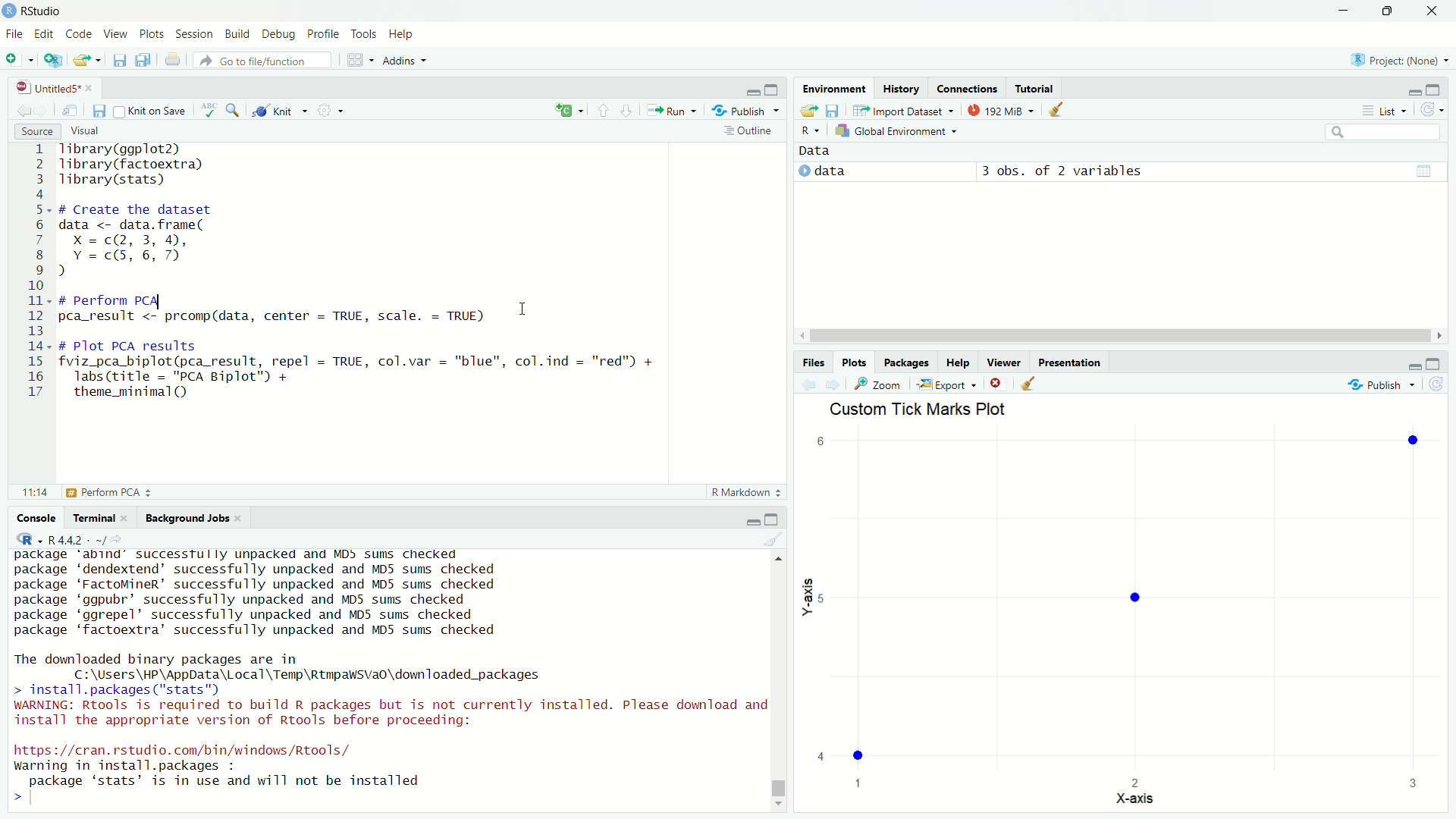  What do you see at coordinates (37, 518) in the screenshot?
I see `console` at bounding box center [37, 518].